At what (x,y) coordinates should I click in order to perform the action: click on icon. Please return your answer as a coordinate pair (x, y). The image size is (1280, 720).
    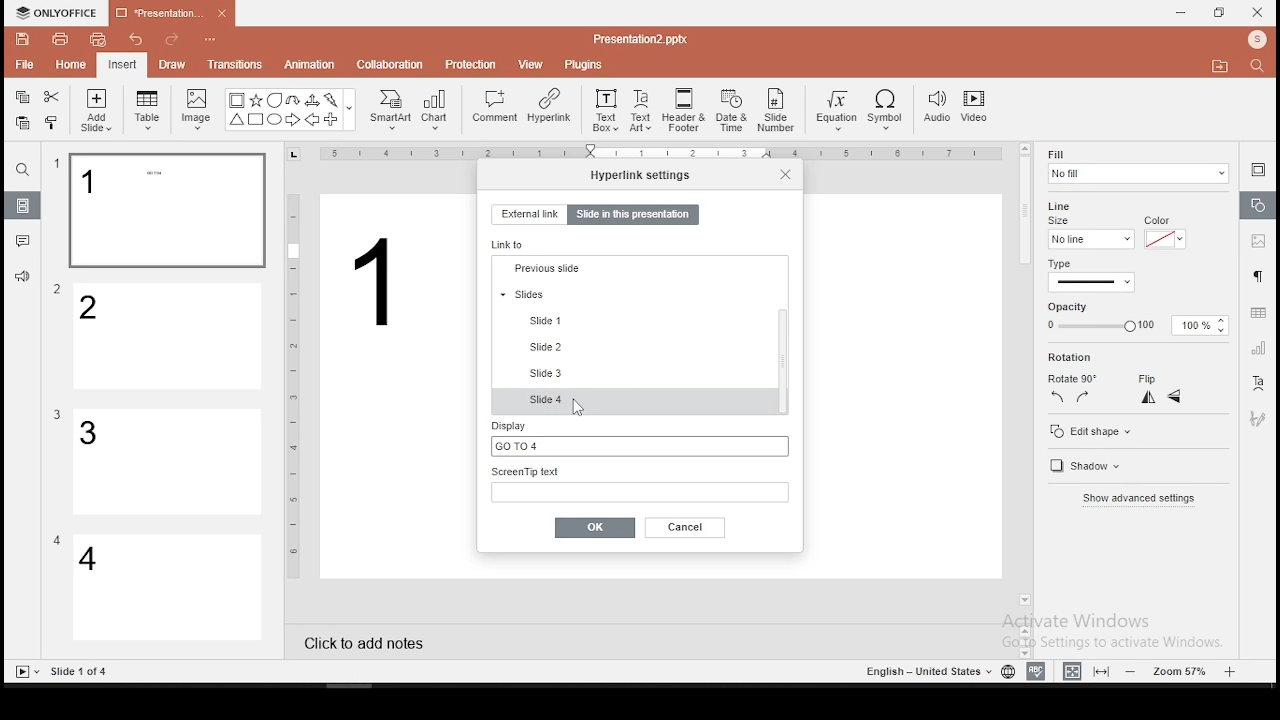
    Looking at the image, I should click on (60, 13).